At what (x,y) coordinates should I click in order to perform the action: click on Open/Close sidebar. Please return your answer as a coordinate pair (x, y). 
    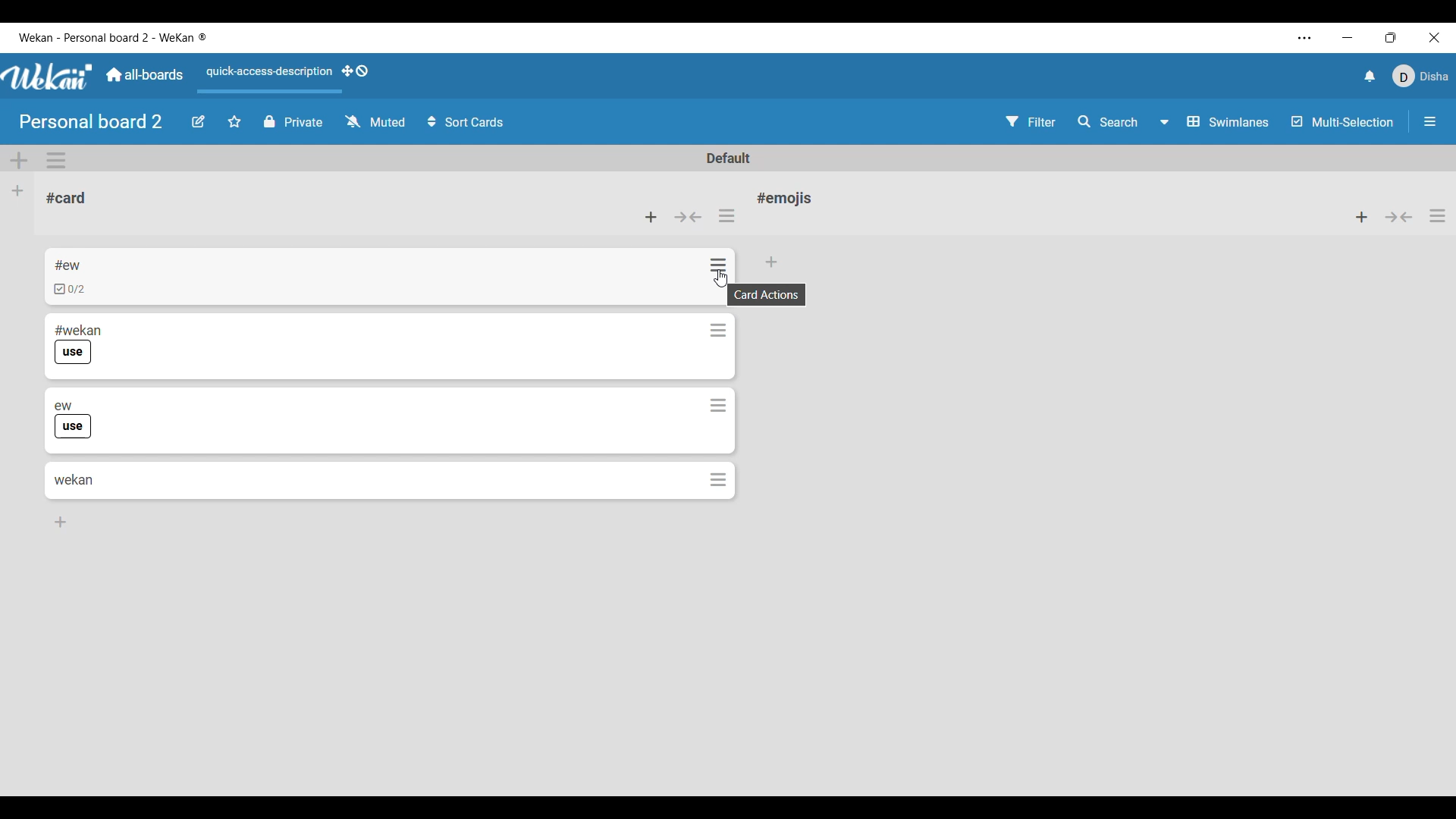
    Looking at the image, I should click on (1430, 121).